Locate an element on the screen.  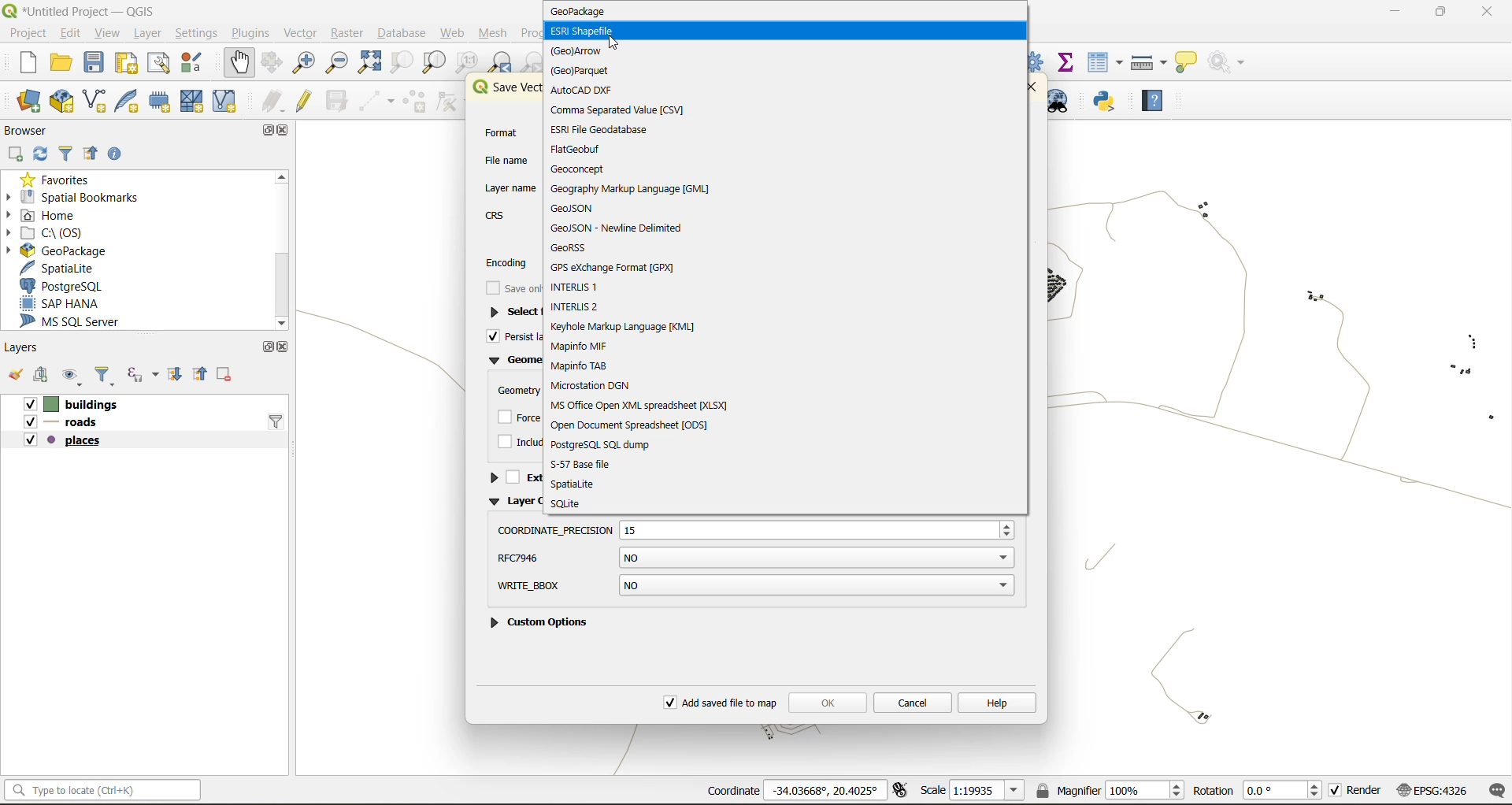
mapinfo mif is located at coordinates (580, 348).